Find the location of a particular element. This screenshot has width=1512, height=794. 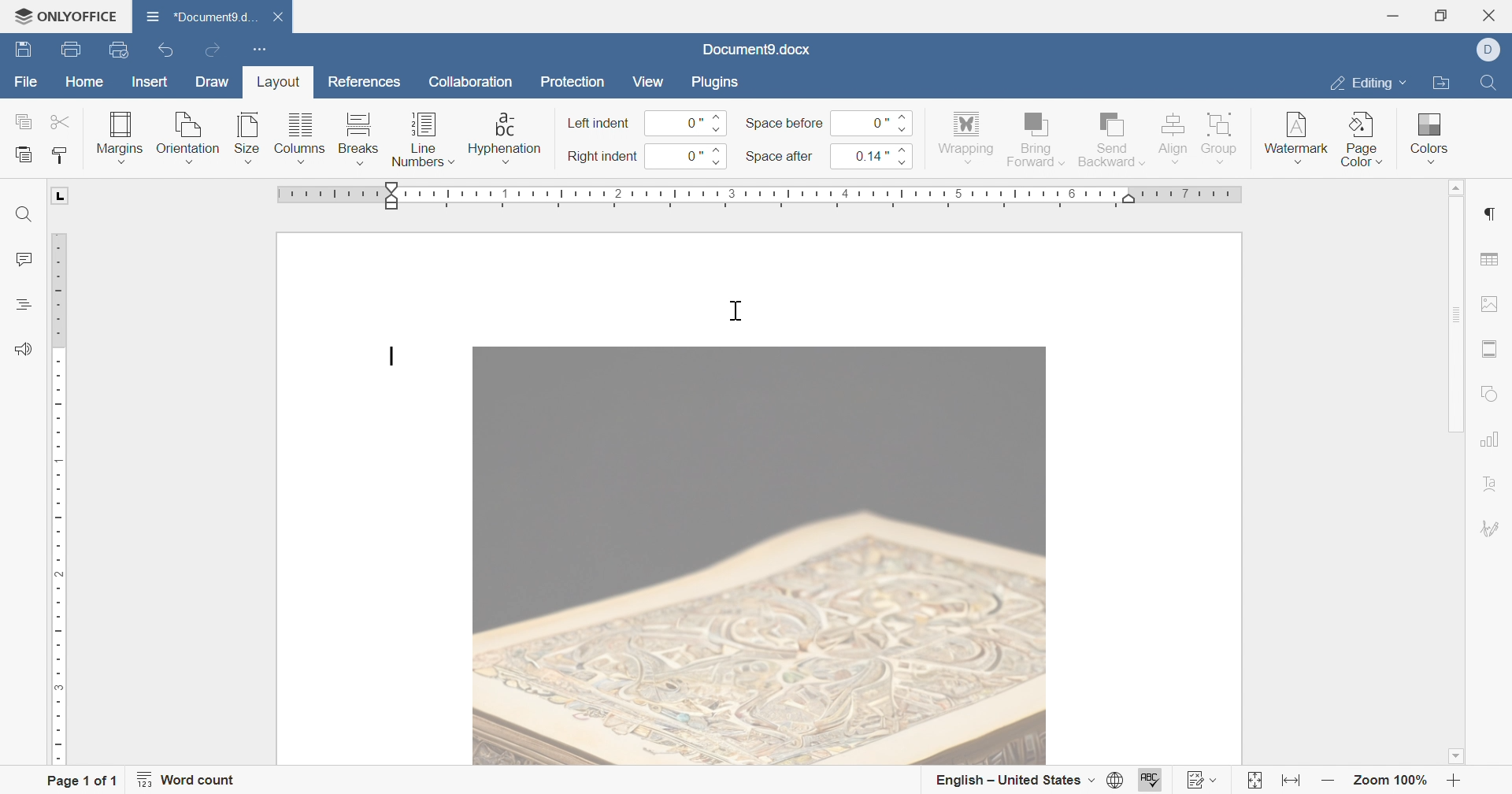

draw is located at coordinates (213, 82).